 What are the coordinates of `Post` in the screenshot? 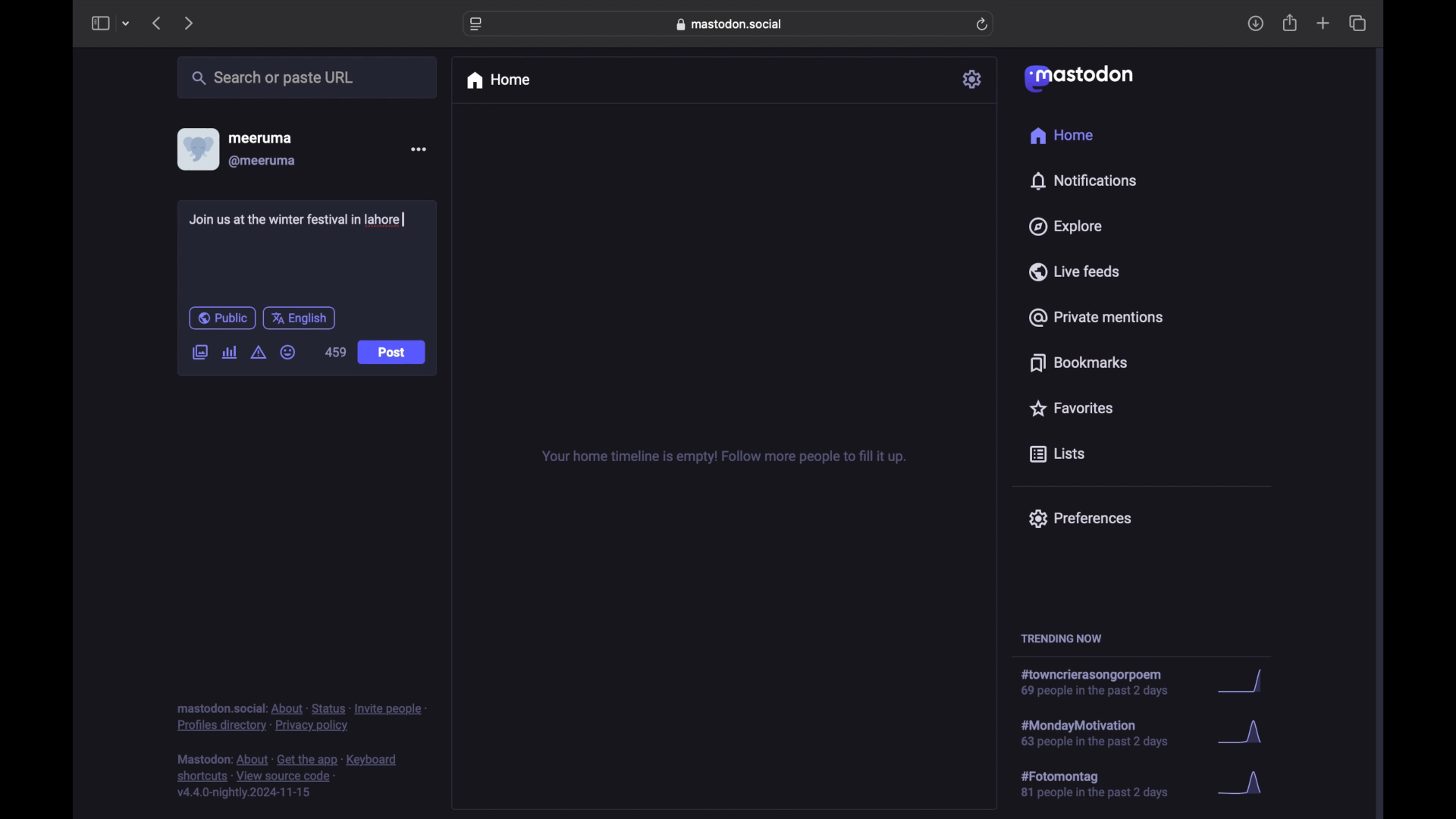 It's located at (393, 353).